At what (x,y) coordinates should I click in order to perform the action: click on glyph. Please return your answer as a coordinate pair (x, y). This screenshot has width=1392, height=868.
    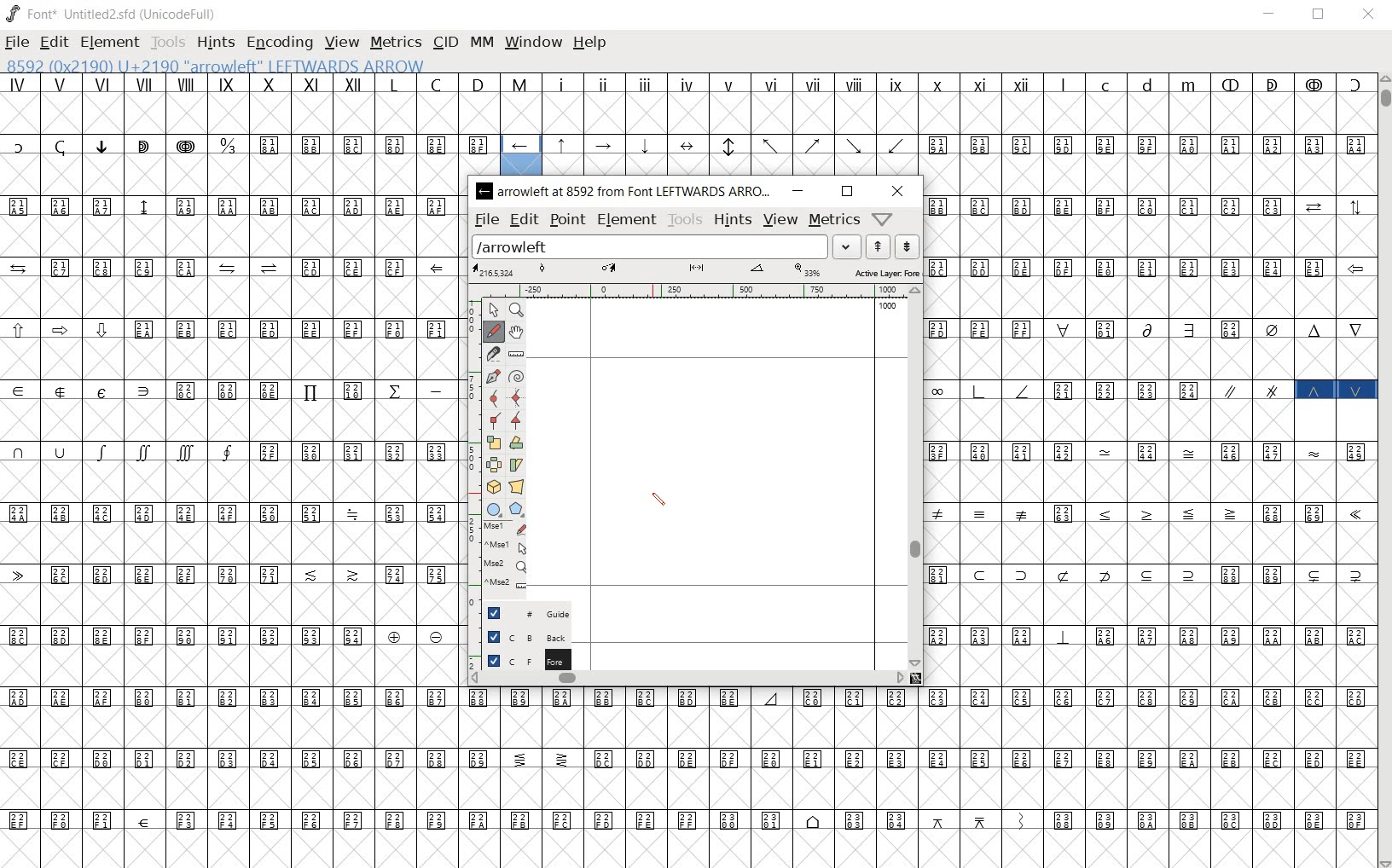
    Looking at the image, I should click on (693, 777).